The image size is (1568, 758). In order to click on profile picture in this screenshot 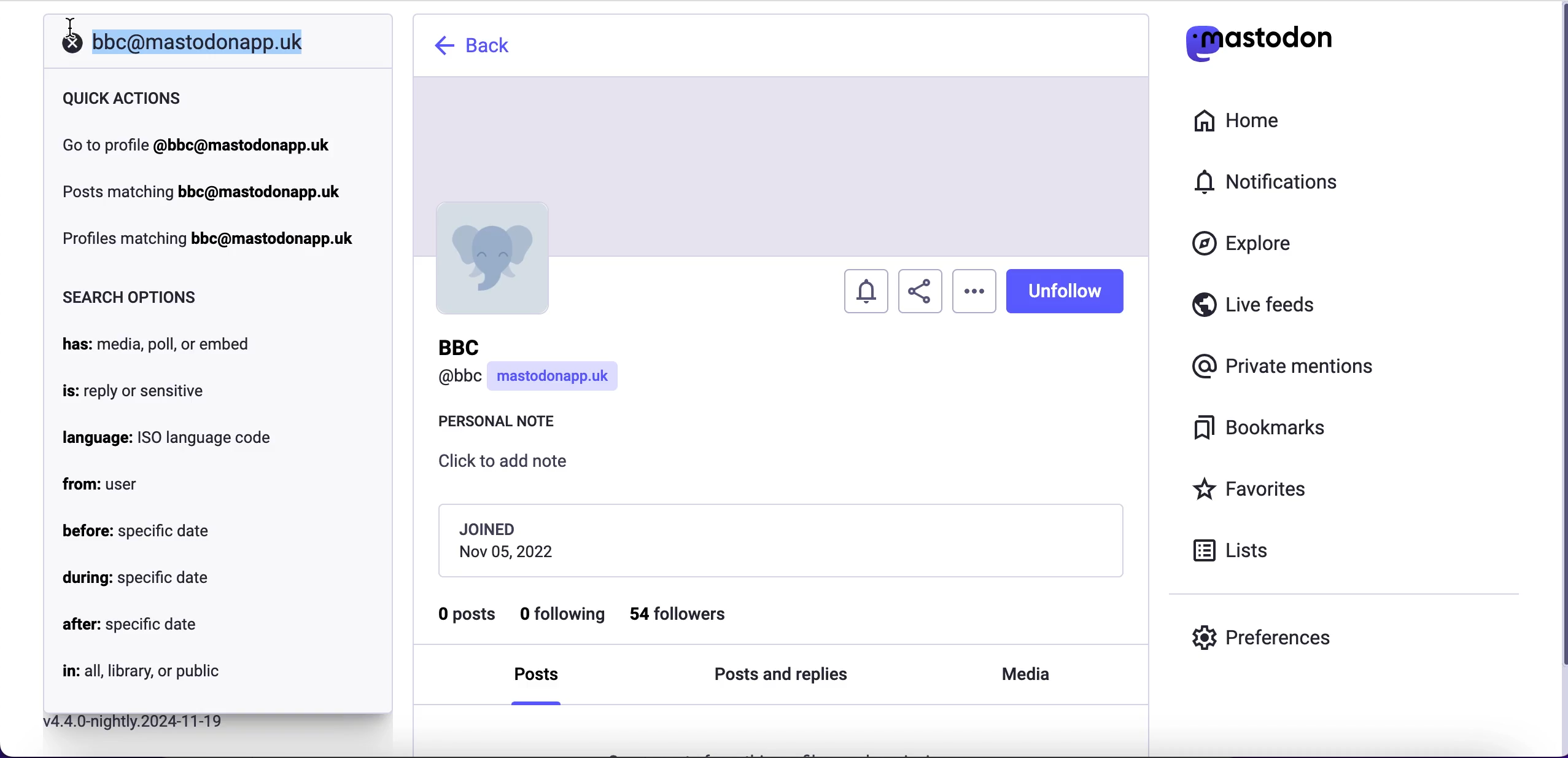, I will do `click(490, 258)`.